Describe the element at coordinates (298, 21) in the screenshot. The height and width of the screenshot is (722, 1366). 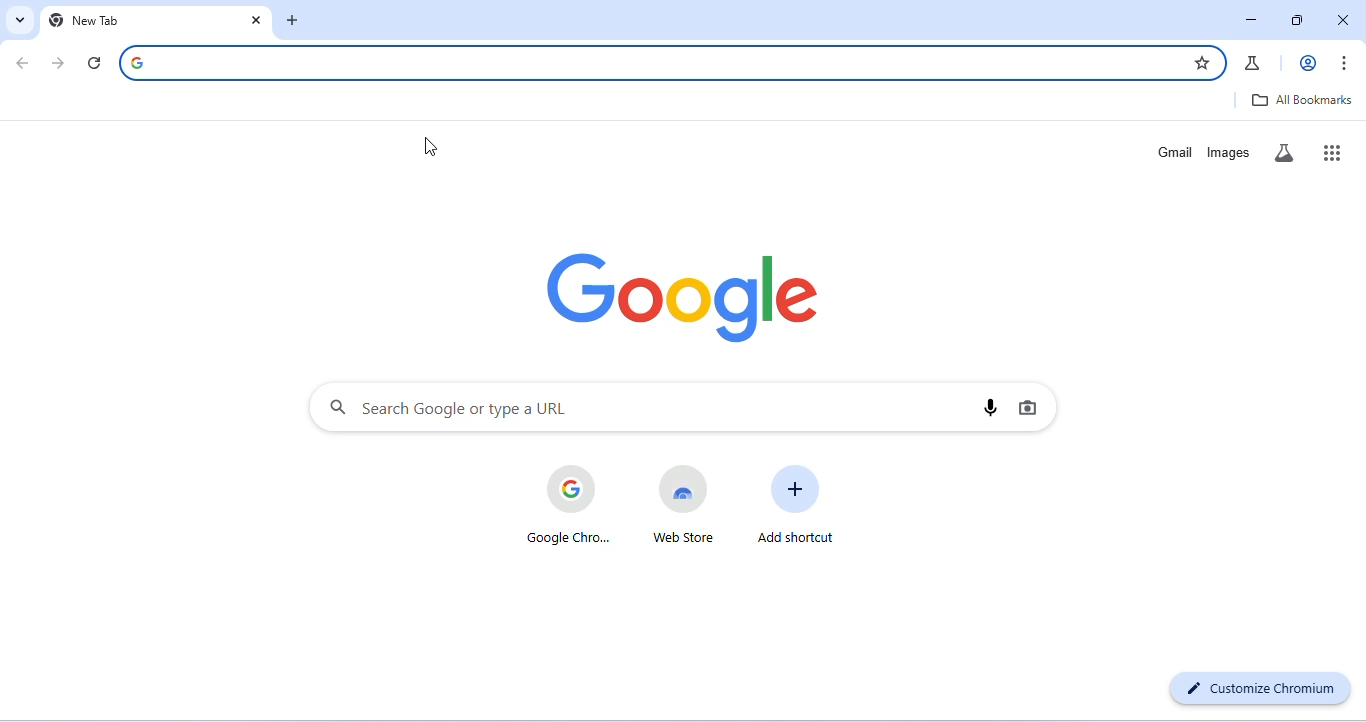
I see `add tab` at that location.